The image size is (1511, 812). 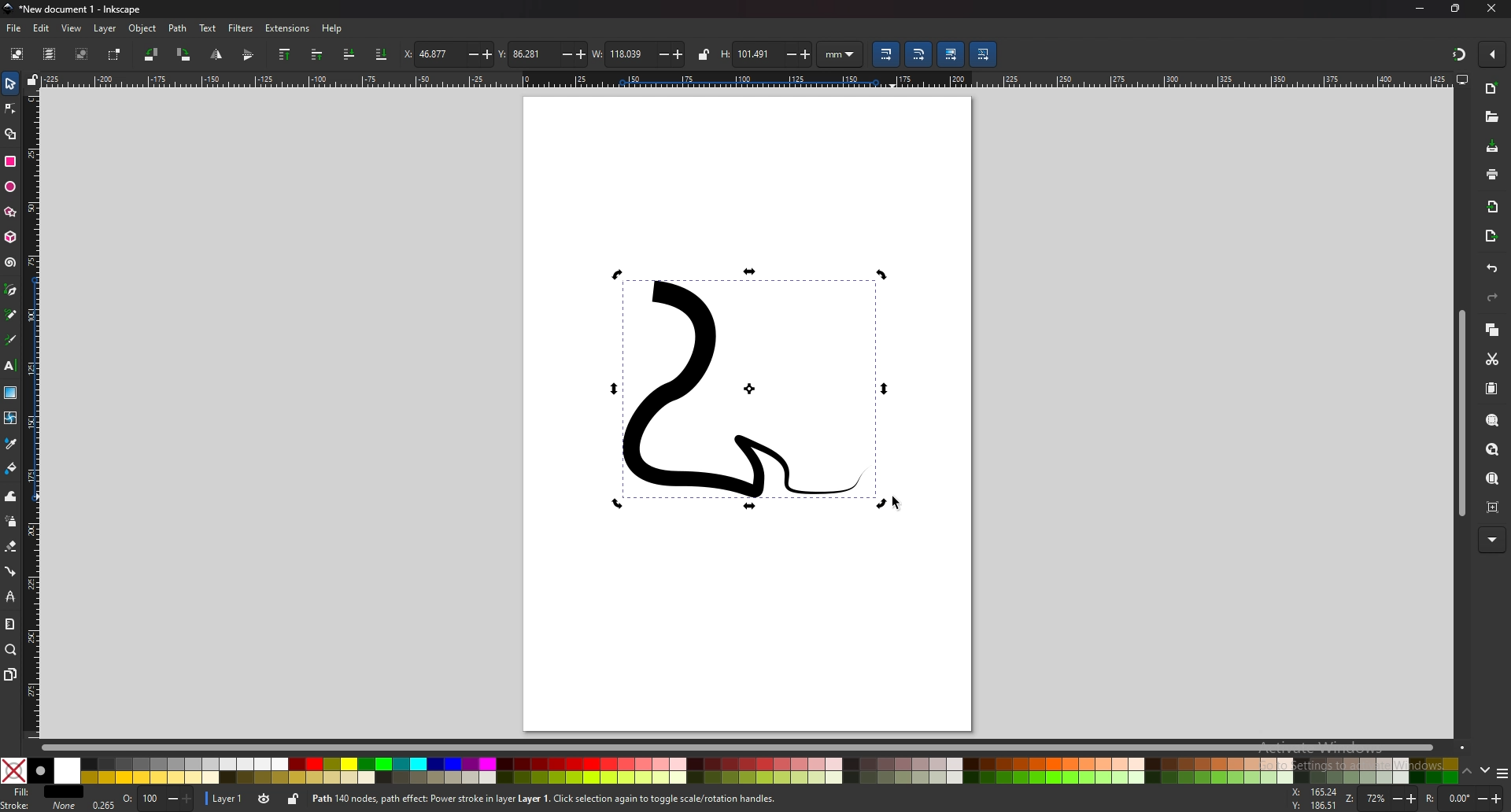 What do you see at coordinates (11, 443) in the screenshot?
I see `dropper` at bounding box center [11, 443].